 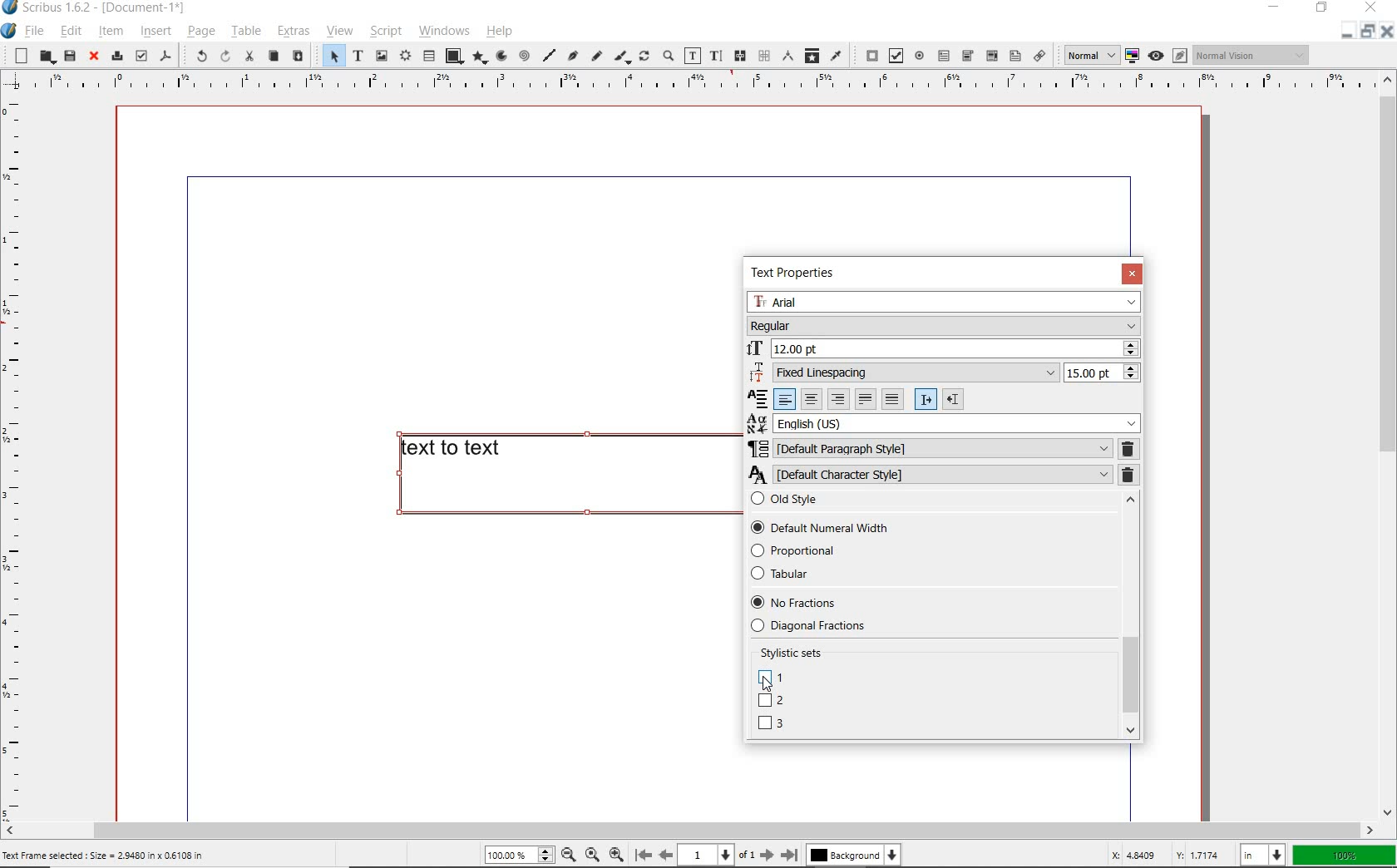 What do you see at coordinates (155, 32) in the screenshot?
I see `insert` at bounding box center [155, 32].